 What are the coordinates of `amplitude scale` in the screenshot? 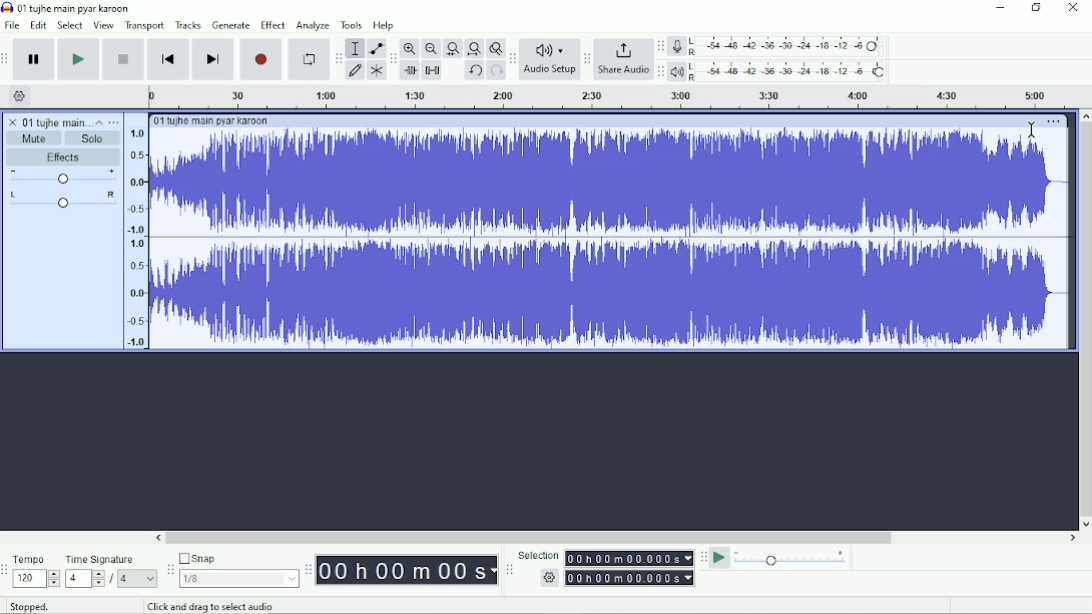 It's located at (136, 239).